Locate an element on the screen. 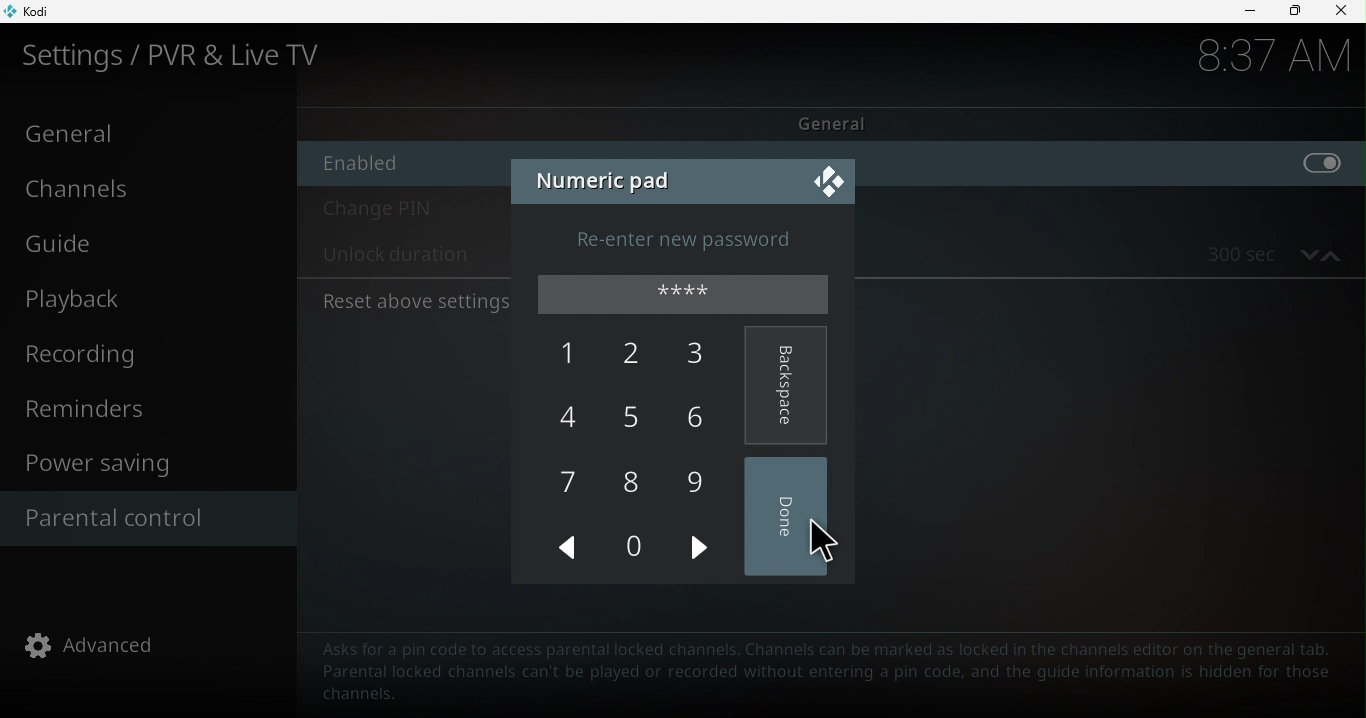  Enable is located at coordinates (396, 163).